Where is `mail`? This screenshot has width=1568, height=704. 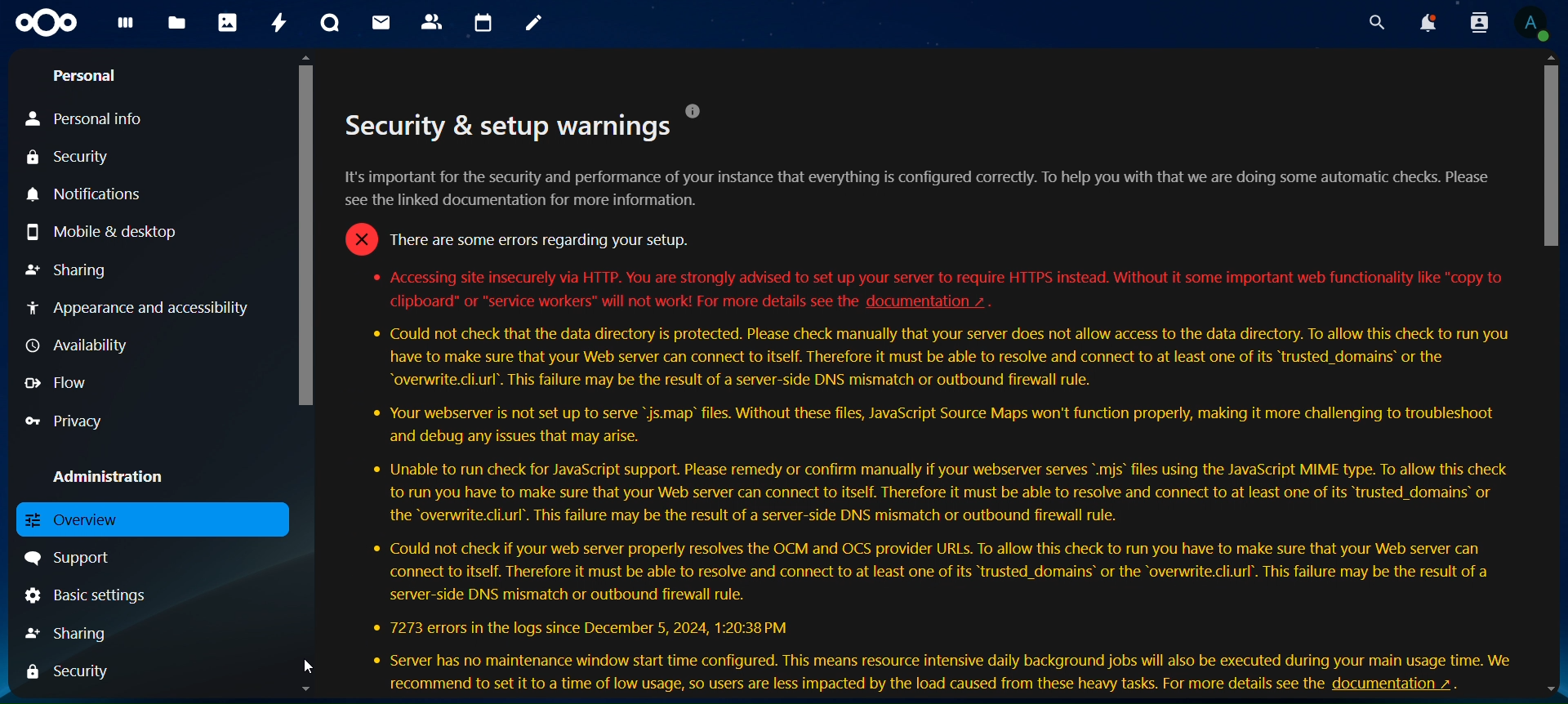 mail is located at coordinates (381, 22).